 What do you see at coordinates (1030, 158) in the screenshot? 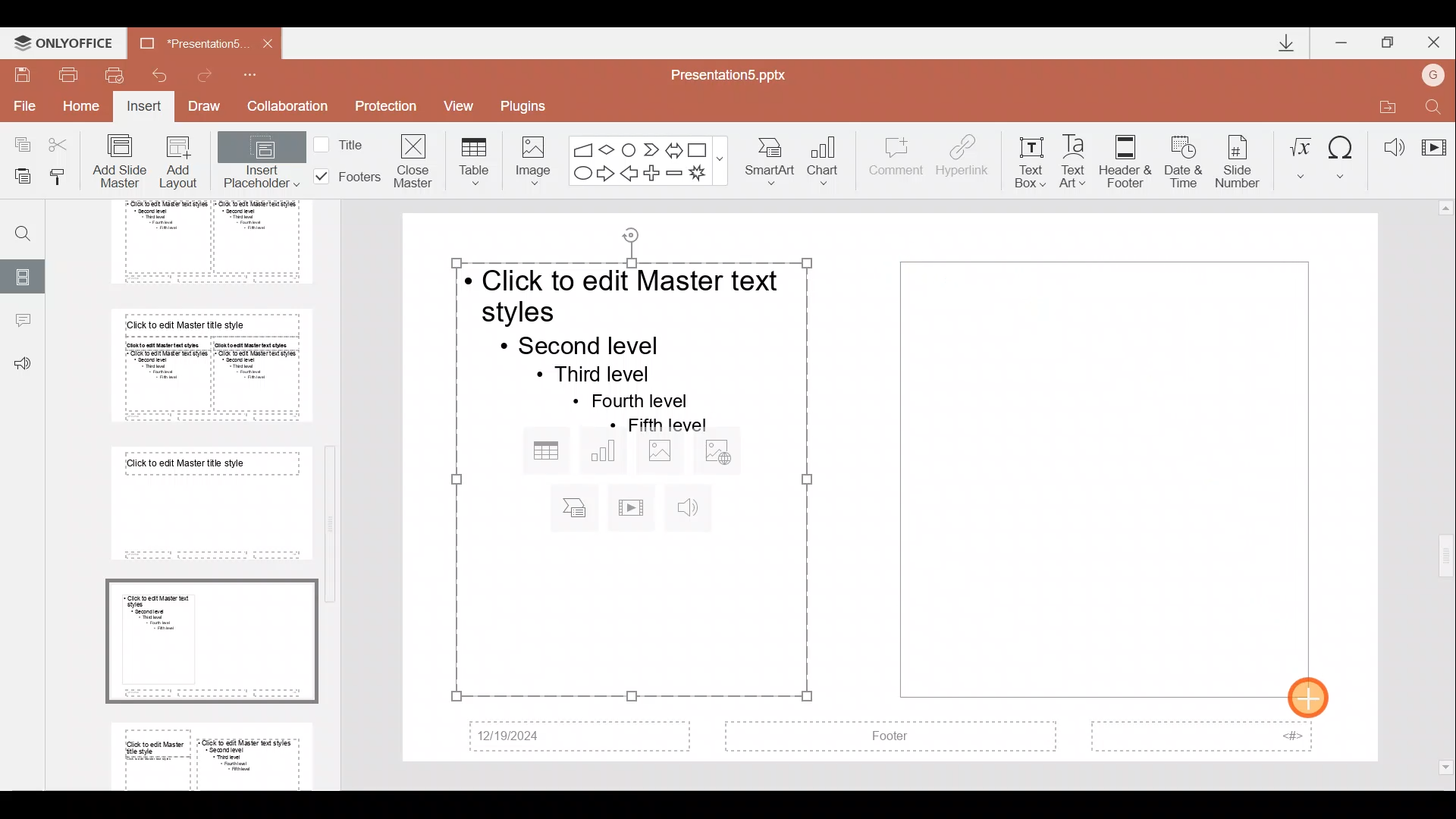
I see `Text box` at bounding box center [1030, 158].